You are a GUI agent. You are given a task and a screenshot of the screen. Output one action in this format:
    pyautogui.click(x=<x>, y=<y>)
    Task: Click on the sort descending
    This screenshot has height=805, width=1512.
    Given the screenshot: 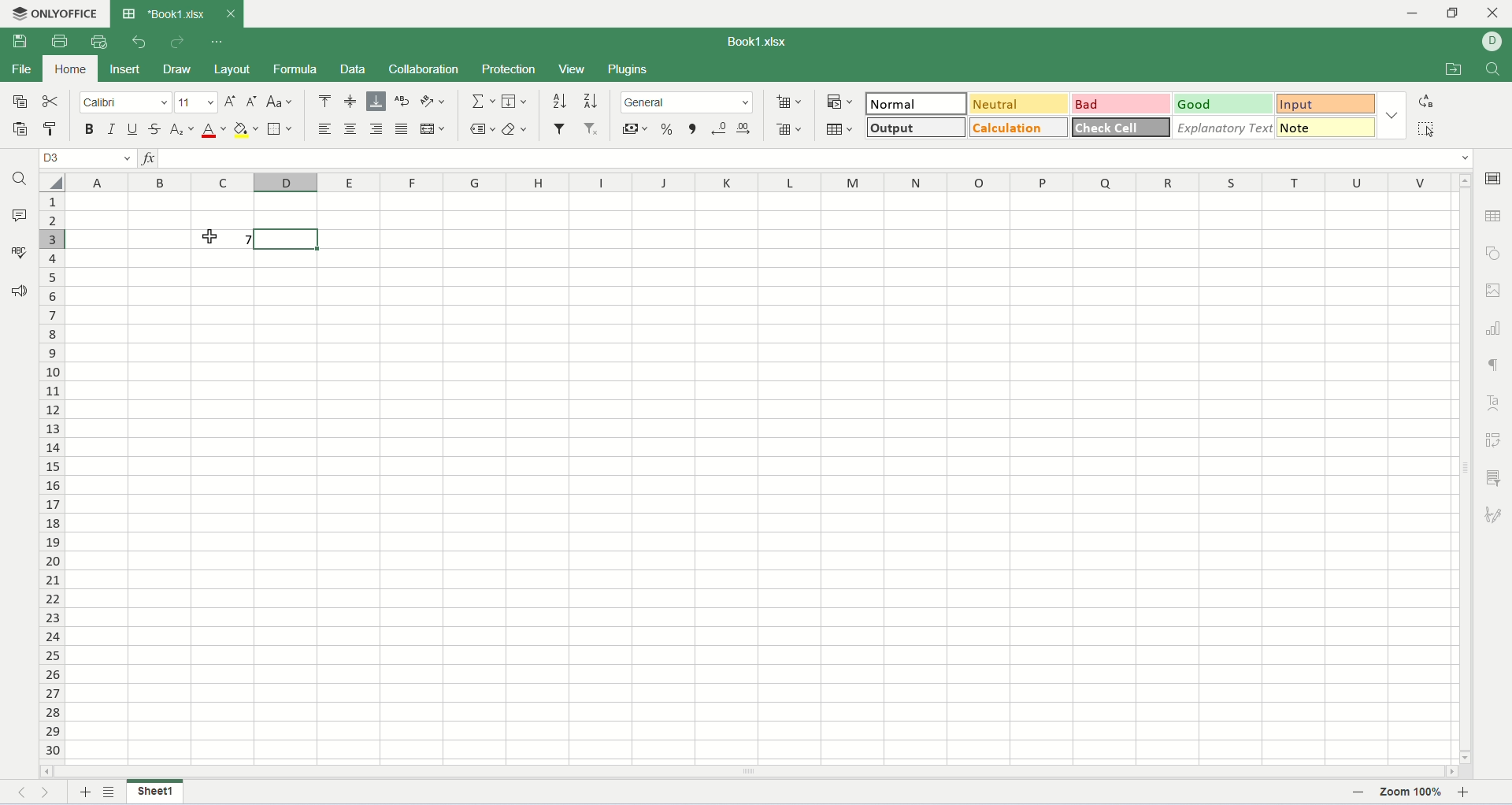 What is the action you would take?
    pyautogui.click(x=590, y=101)
    